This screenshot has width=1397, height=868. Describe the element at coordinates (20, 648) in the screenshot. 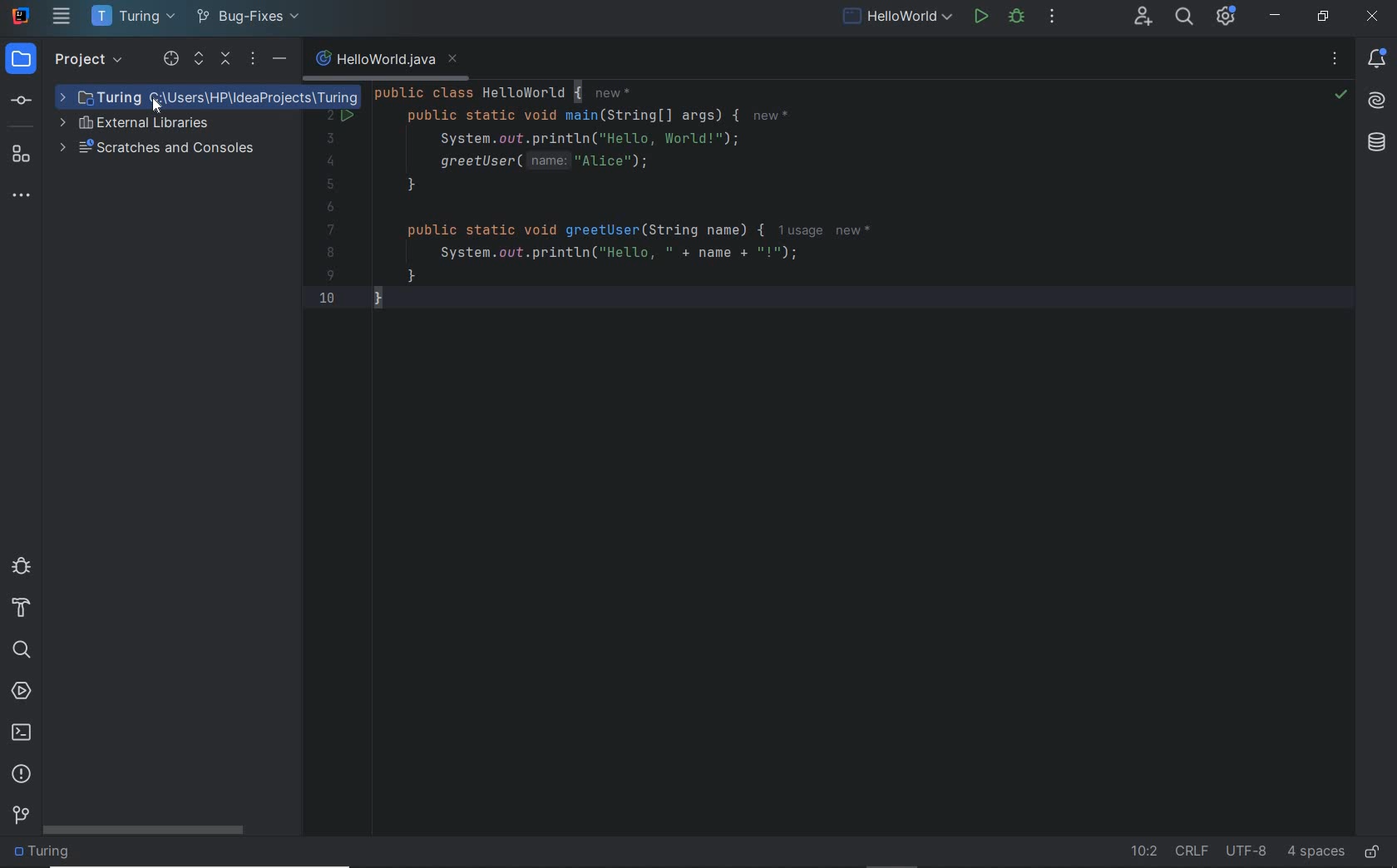

I see `search` at that location.